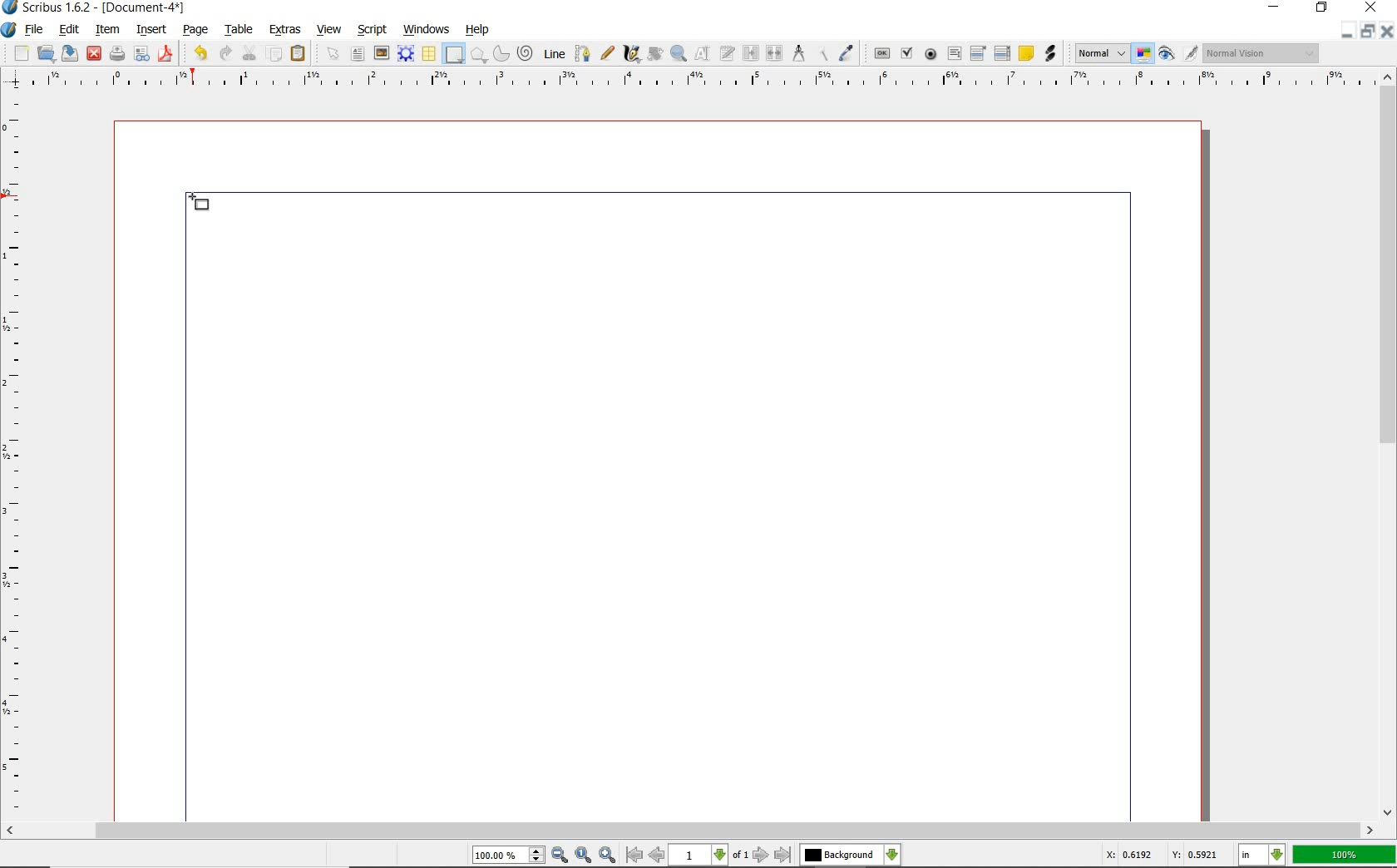 Image resolution: width=1397 pixels, height=868 pixels. I want to click on redo, so click(227, 53).